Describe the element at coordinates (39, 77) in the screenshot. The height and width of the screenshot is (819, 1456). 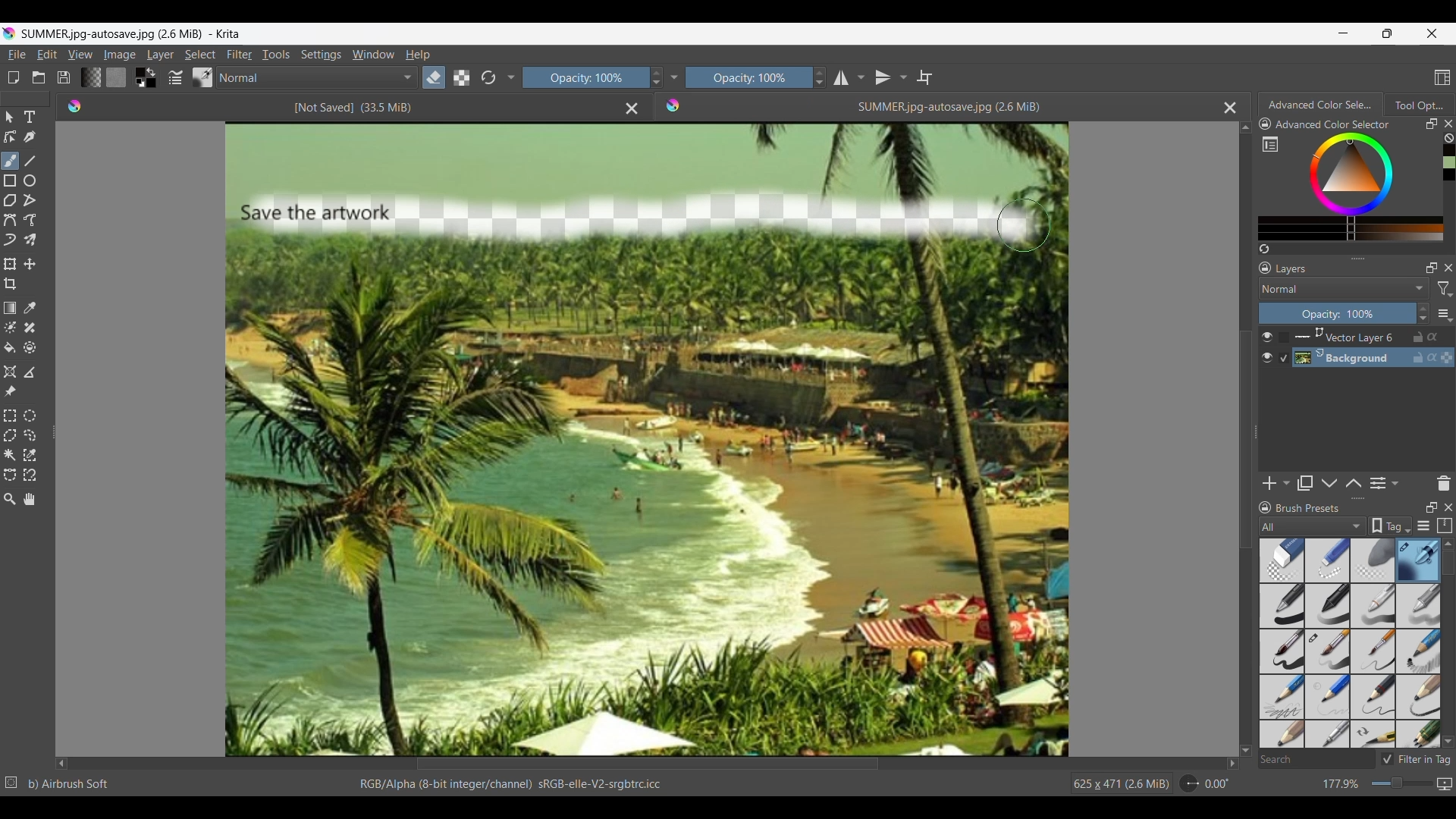
I see `Open an existing document` at that location.